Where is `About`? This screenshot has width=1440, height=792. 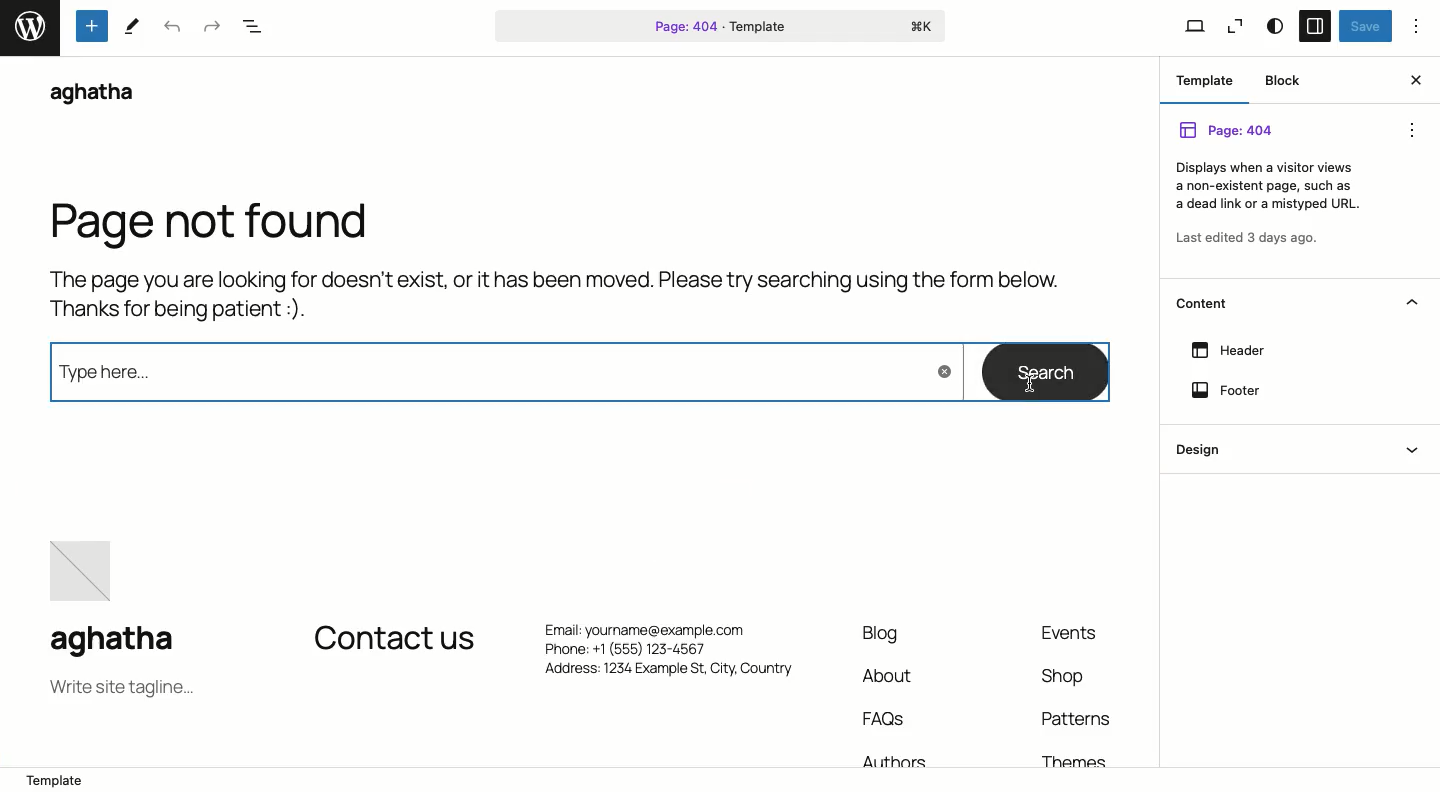 About is located at coordinates (884, 674).